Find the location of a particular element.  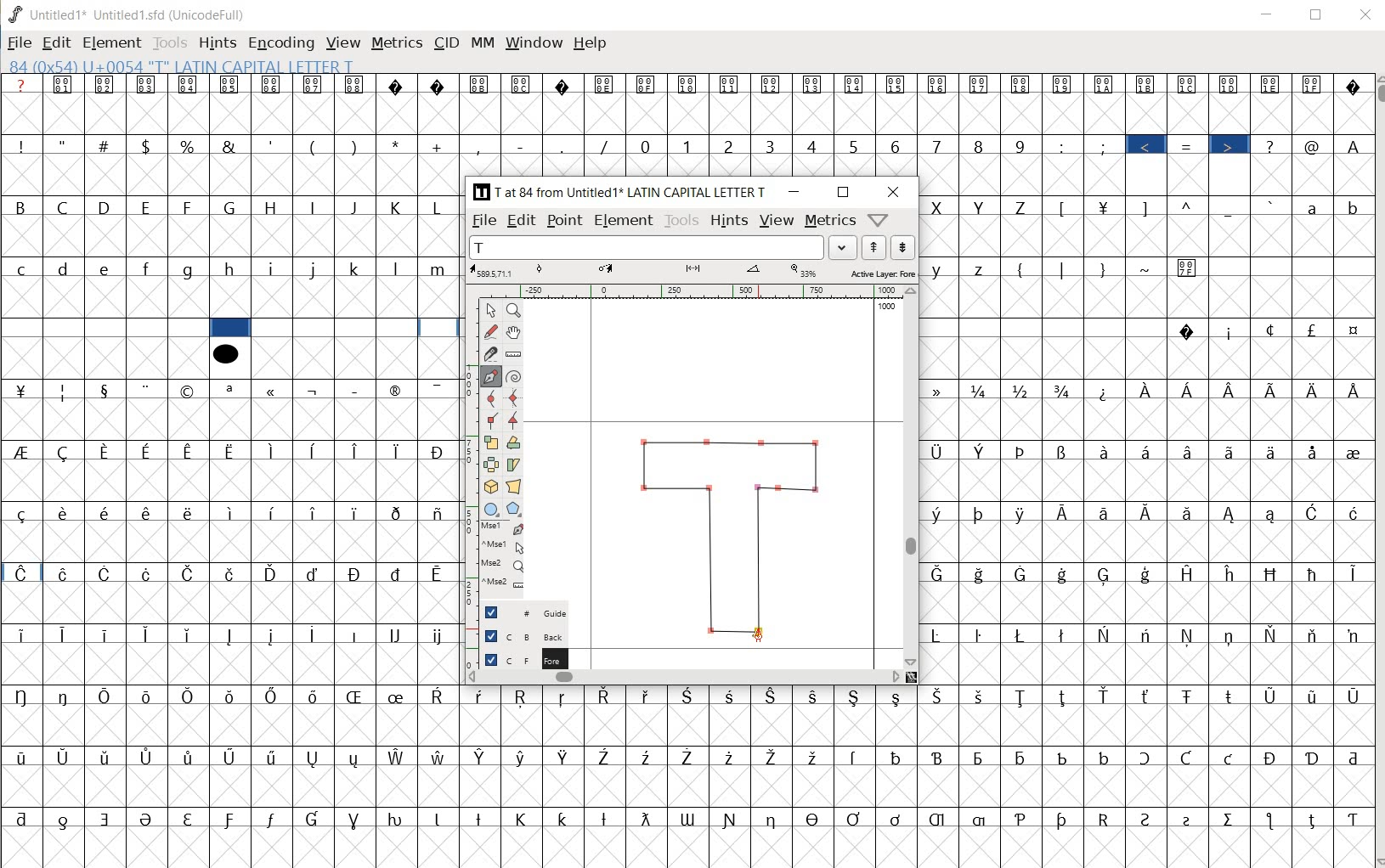

Symbol is located at coordinates (1273, 84).